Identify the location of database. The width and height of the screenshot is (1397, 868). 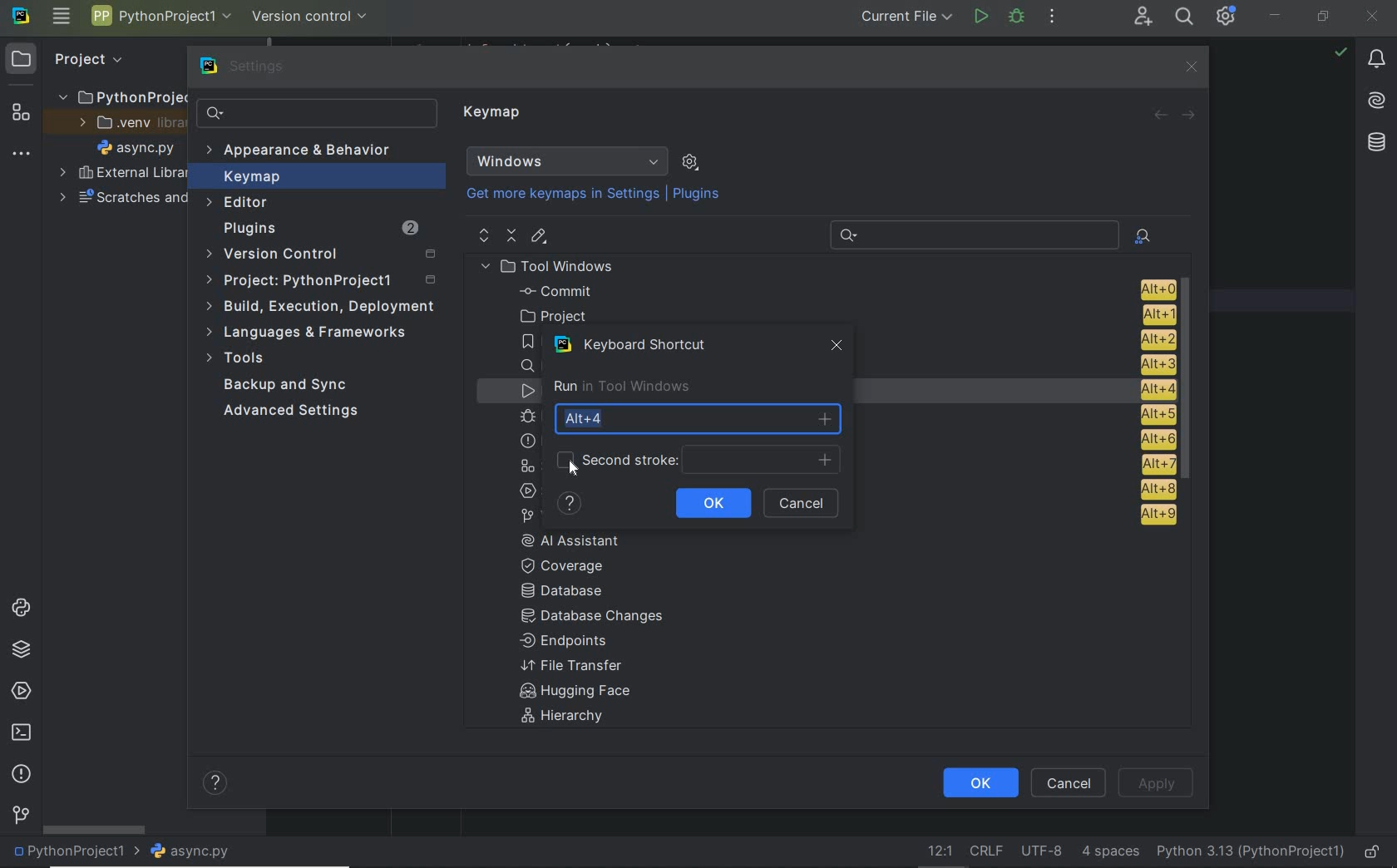
(1375, 142).